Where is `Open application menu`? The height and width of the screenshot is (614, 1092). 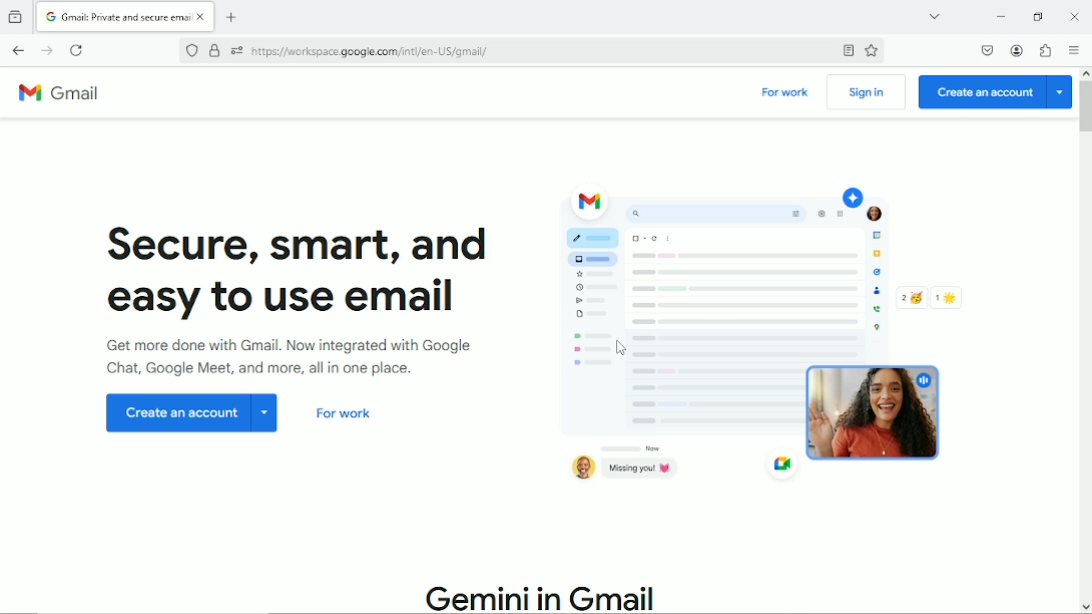 Open application menu is located at coordinates (1075, 52).